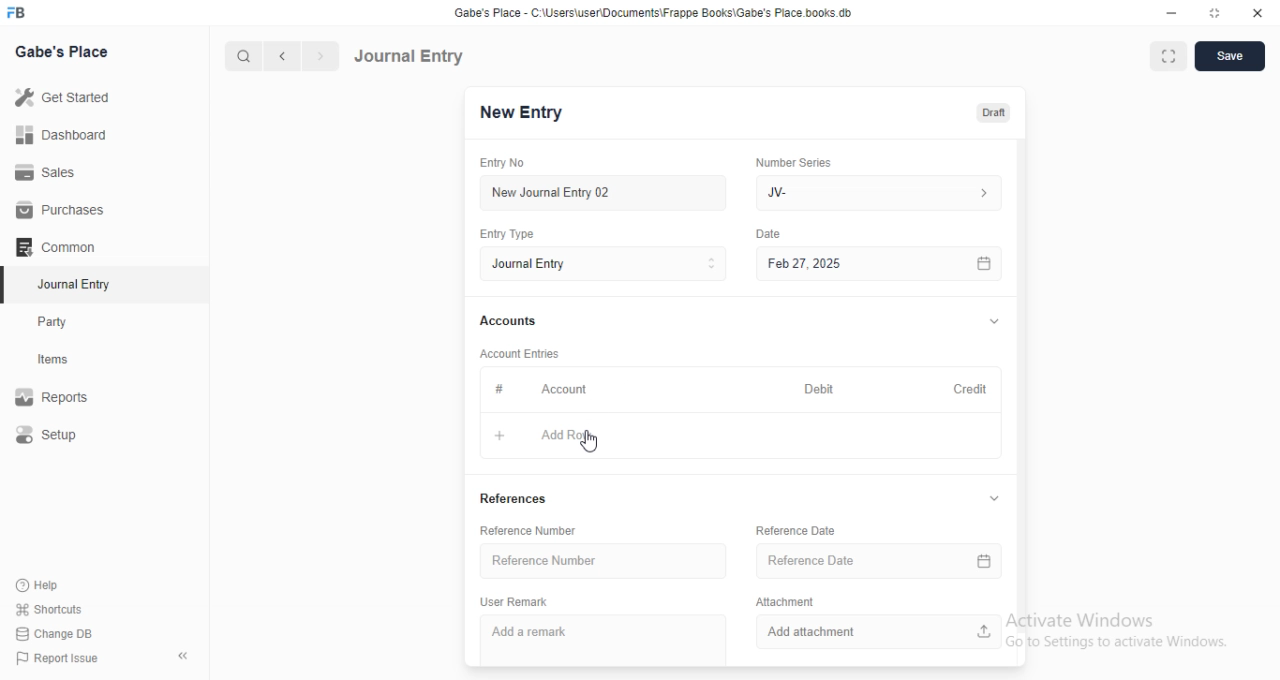  Describe the element at coordinates (49, 174) in the screenshot. I see `Sales` at that location.